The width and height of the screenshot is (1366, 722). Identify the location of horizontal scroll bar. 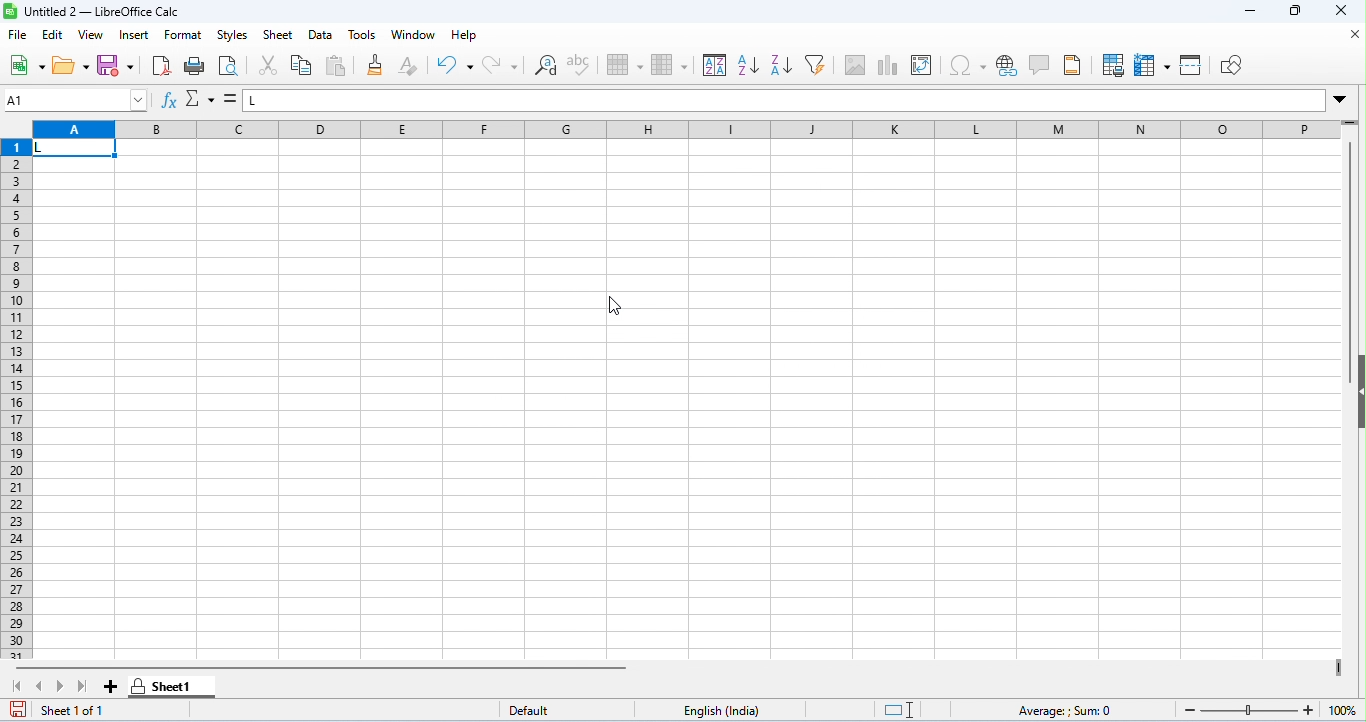
(326, 668).